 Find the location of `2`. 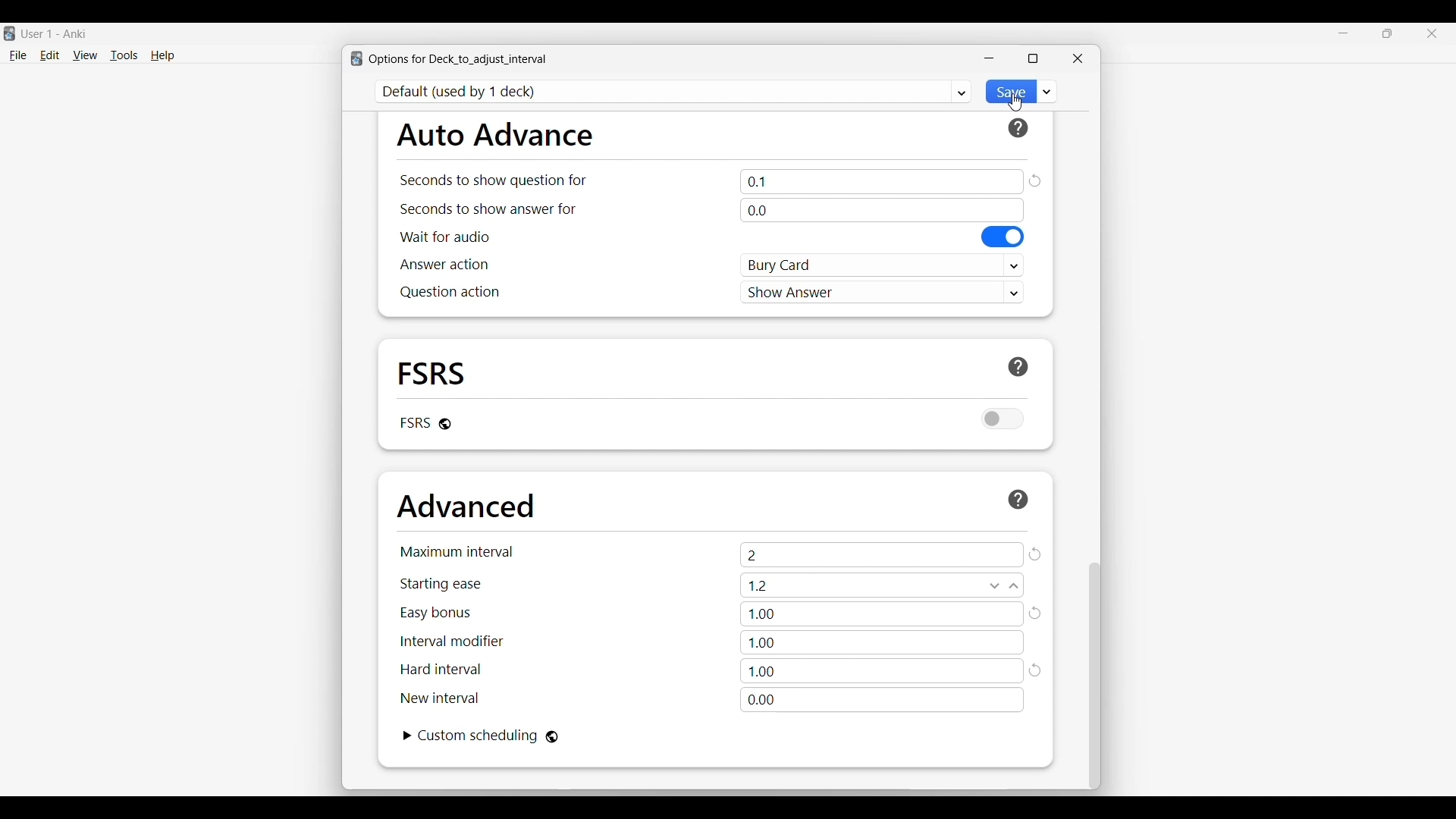

2 is located at coordinates (882, 554).